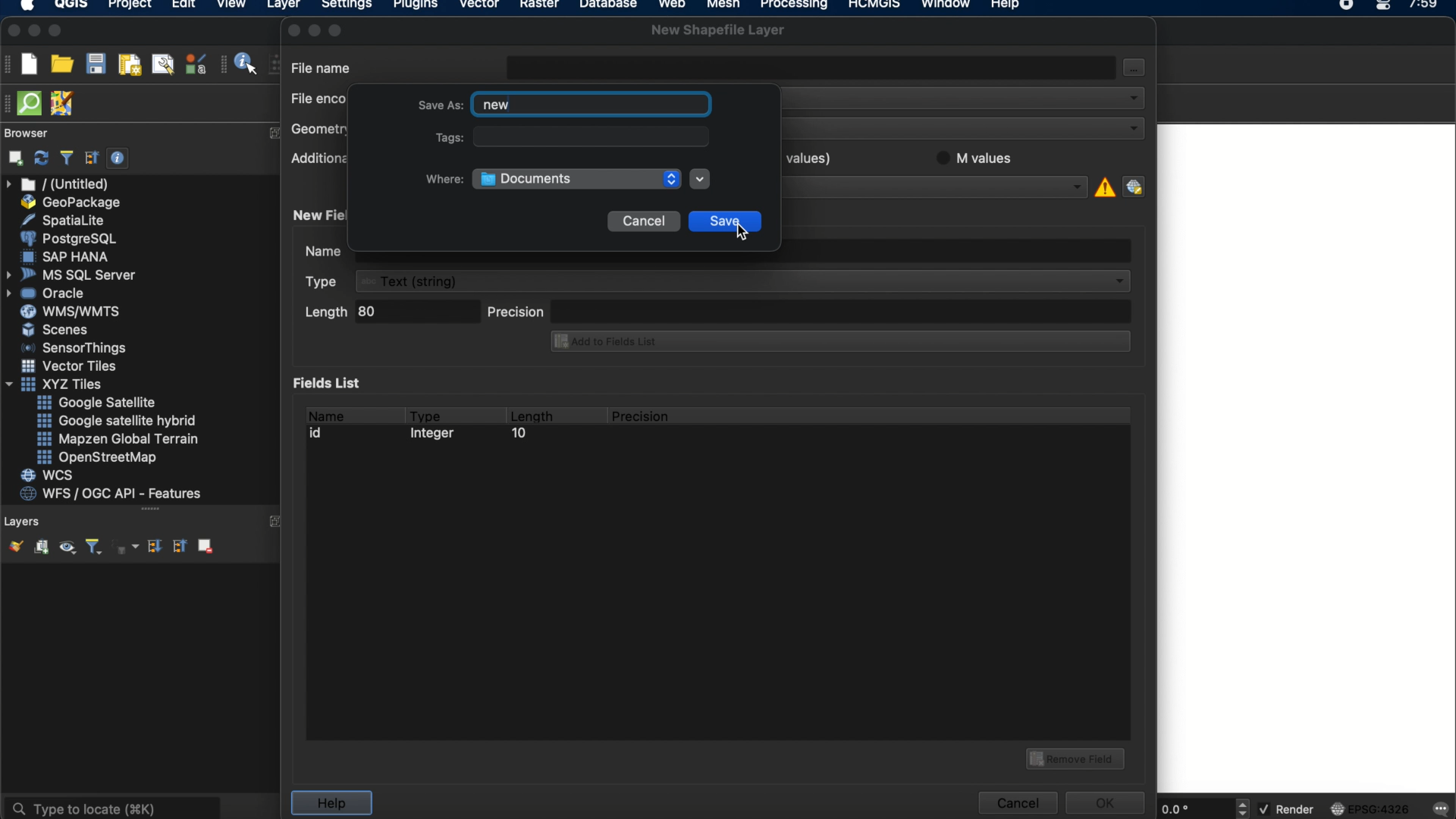 The height and width of the screenshot is (819, 1456). Describe the element at coordinates (812, 66) in the screenshot. I see `file name text box` at that location.